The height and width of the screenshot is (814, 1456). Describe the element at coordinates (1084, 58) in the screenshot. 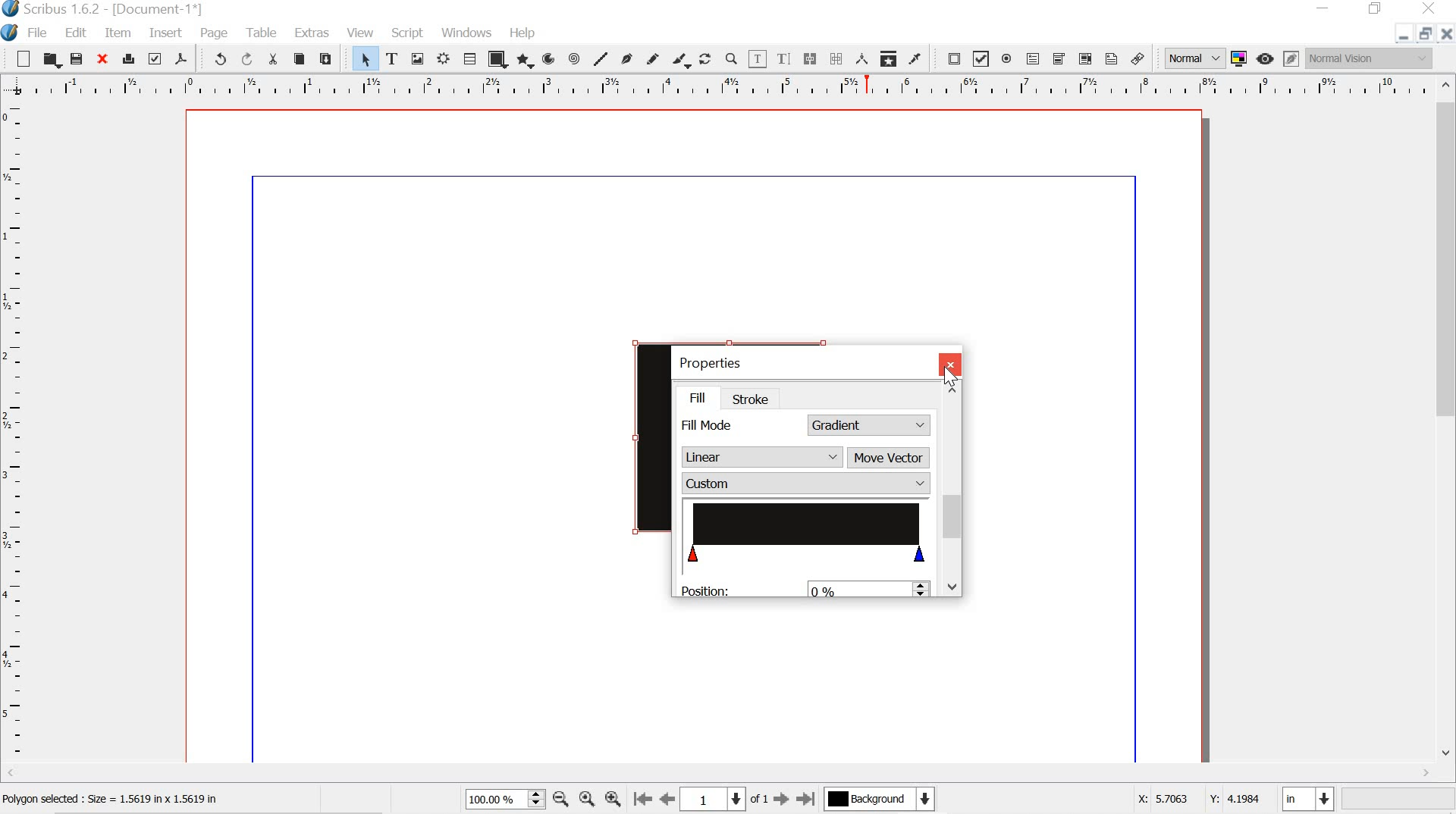

I see `pdf list` at that location.